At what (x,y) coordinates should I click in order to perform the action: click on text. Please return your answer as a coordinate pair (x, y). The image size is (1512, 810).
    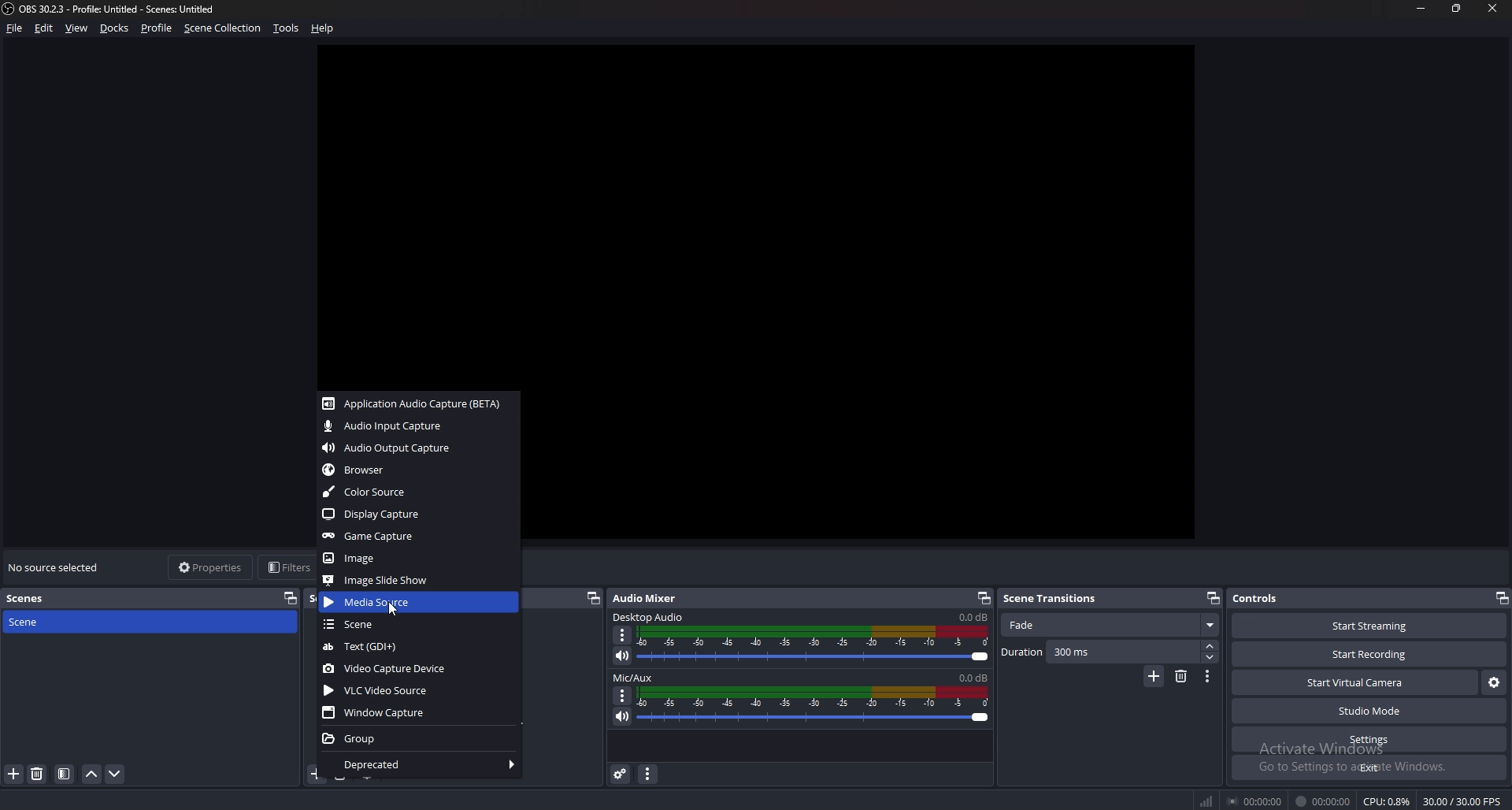
    Looking at the image, I should click on (421, 646).